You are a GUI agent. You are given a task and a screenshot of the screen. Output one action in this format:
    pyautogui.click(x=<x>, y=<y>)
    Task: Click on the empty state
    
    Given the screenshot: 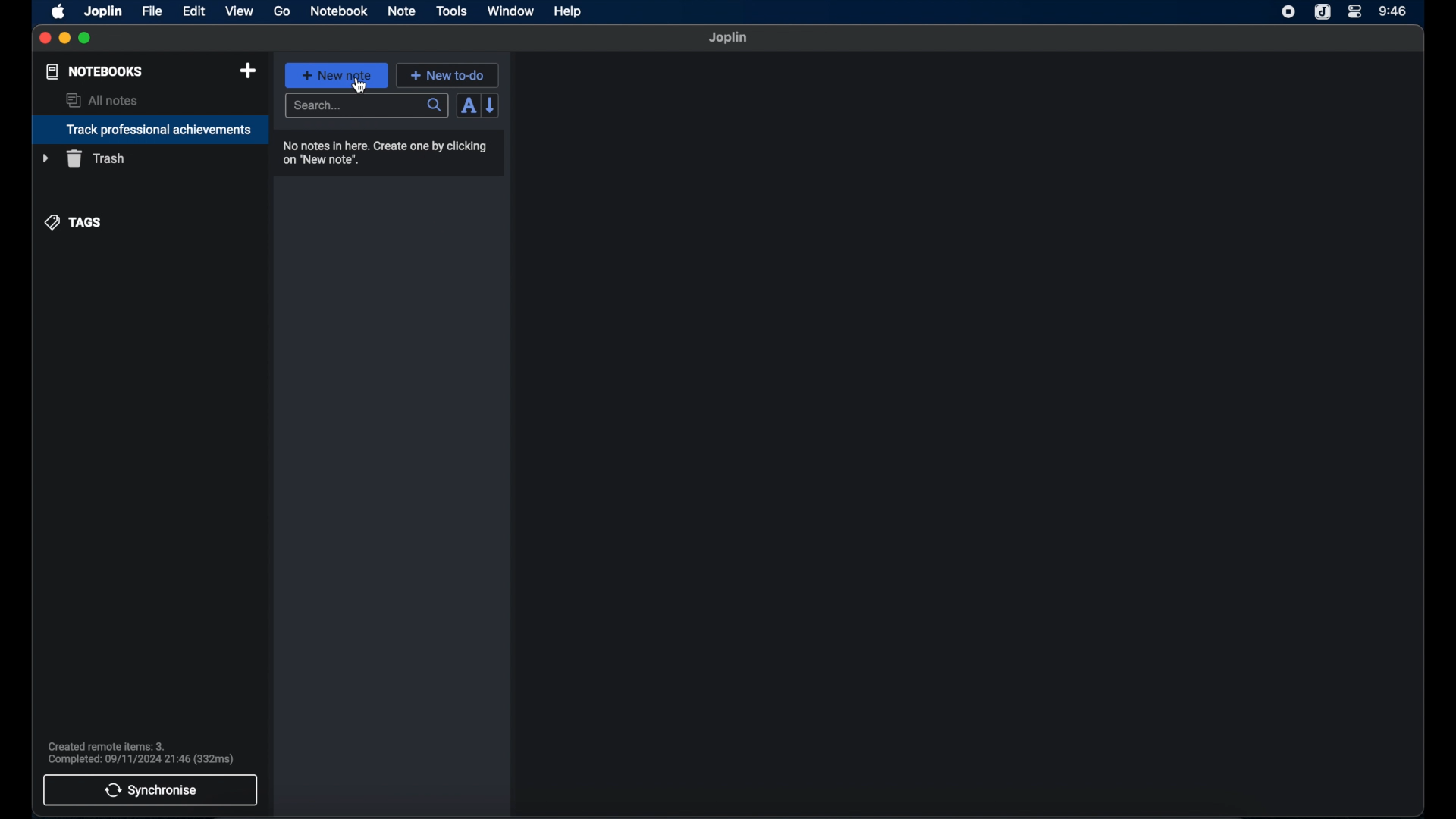 What is the action you would take?
    pyautogui.click(x=969, y=434)
    